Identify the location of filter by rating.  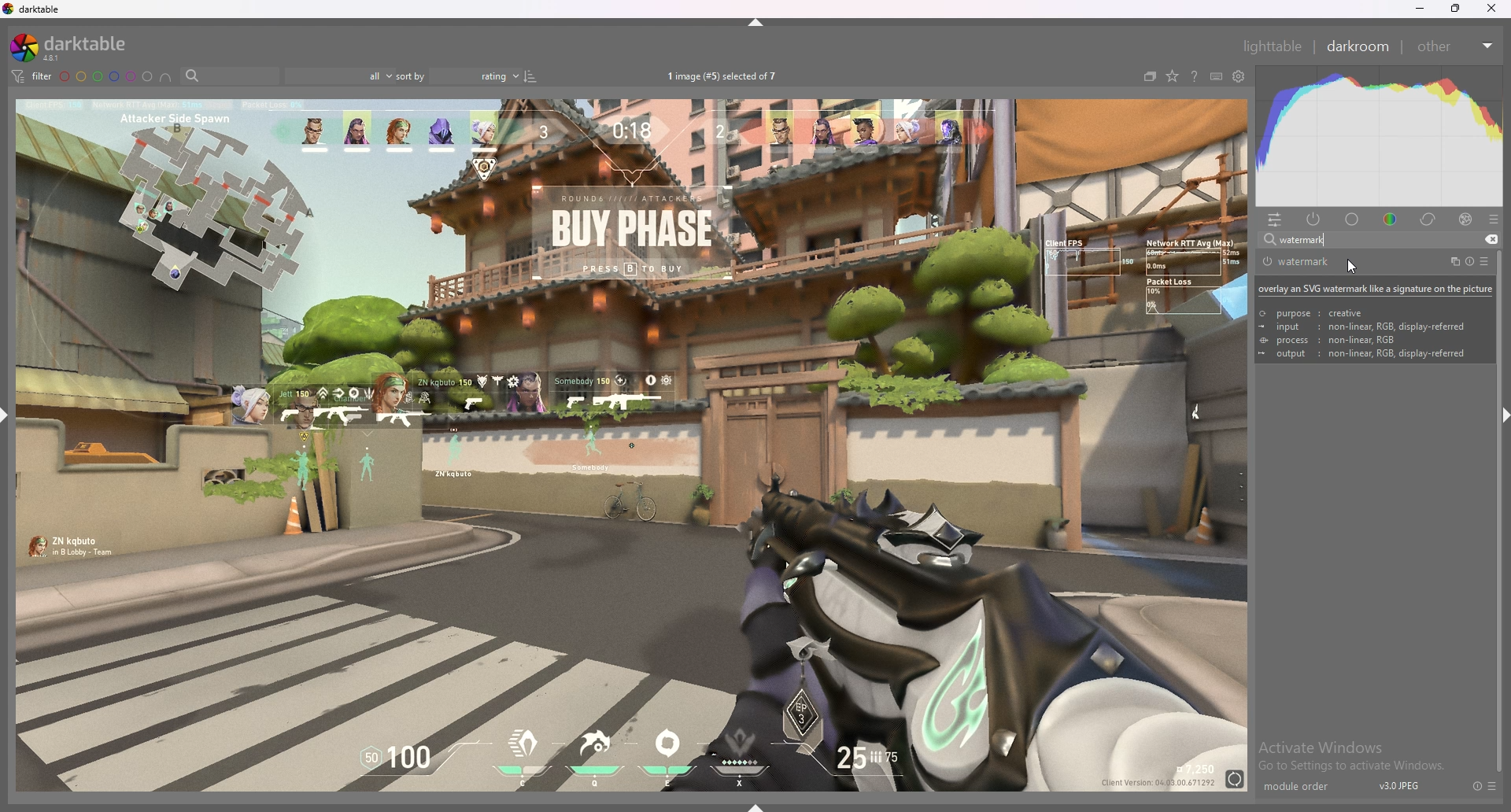
(338, 76).